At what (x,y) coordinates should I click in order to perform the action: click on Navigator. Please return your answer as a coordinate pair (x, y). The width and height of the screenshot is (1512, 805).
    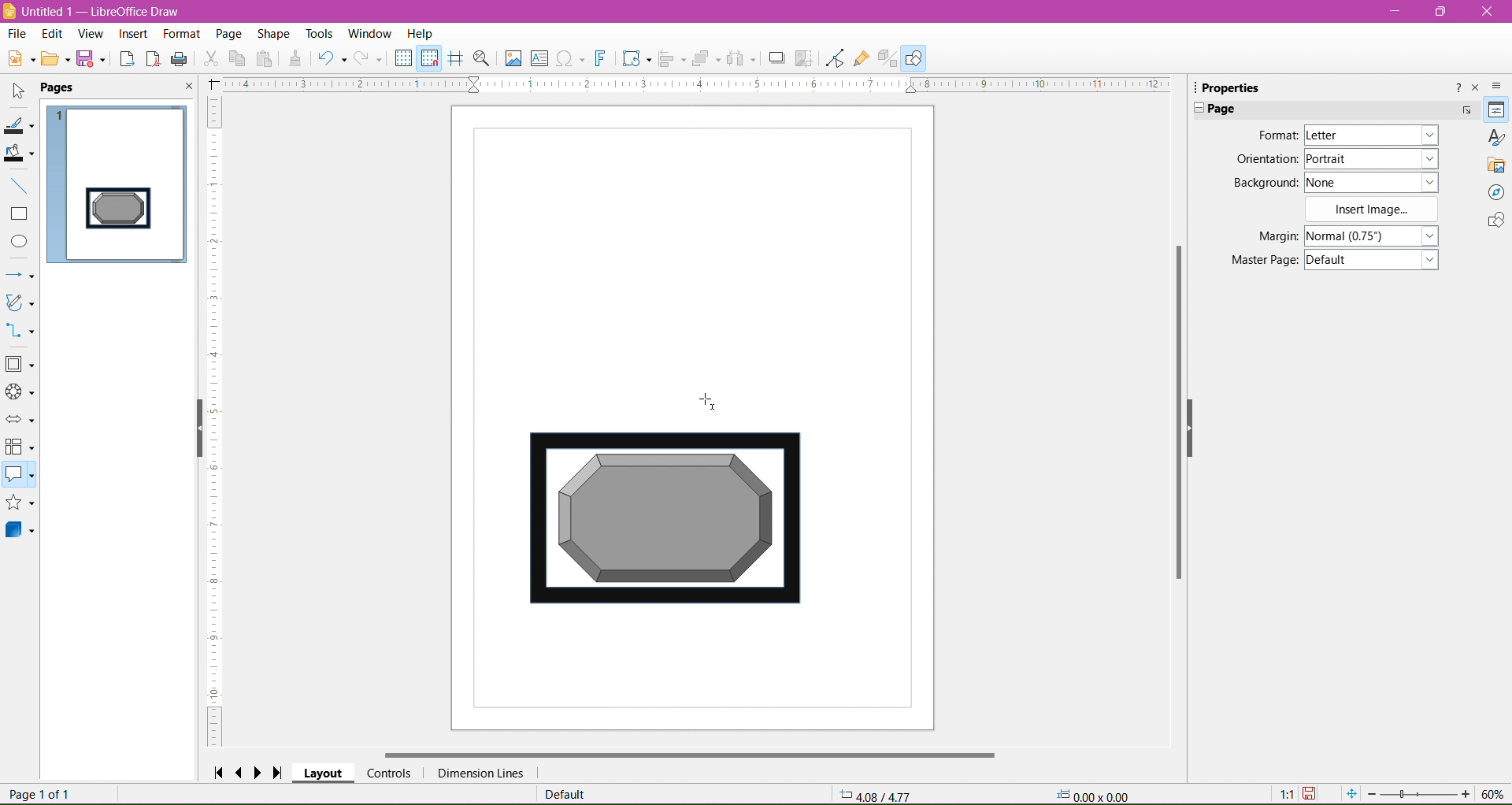
    Looking at the image, I should click on (1496, 193).